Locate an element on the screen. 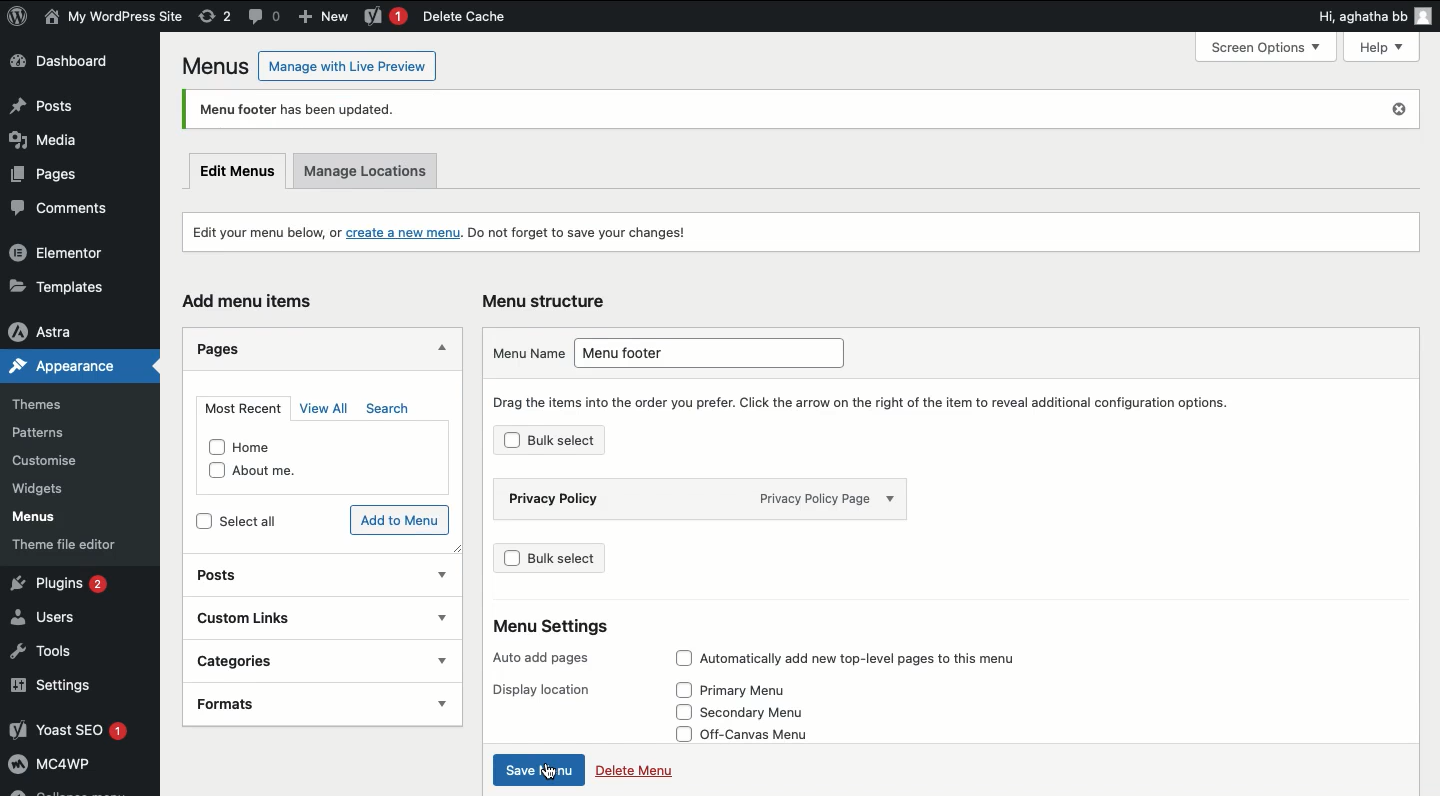  Media is located at coordinates (54, 145).